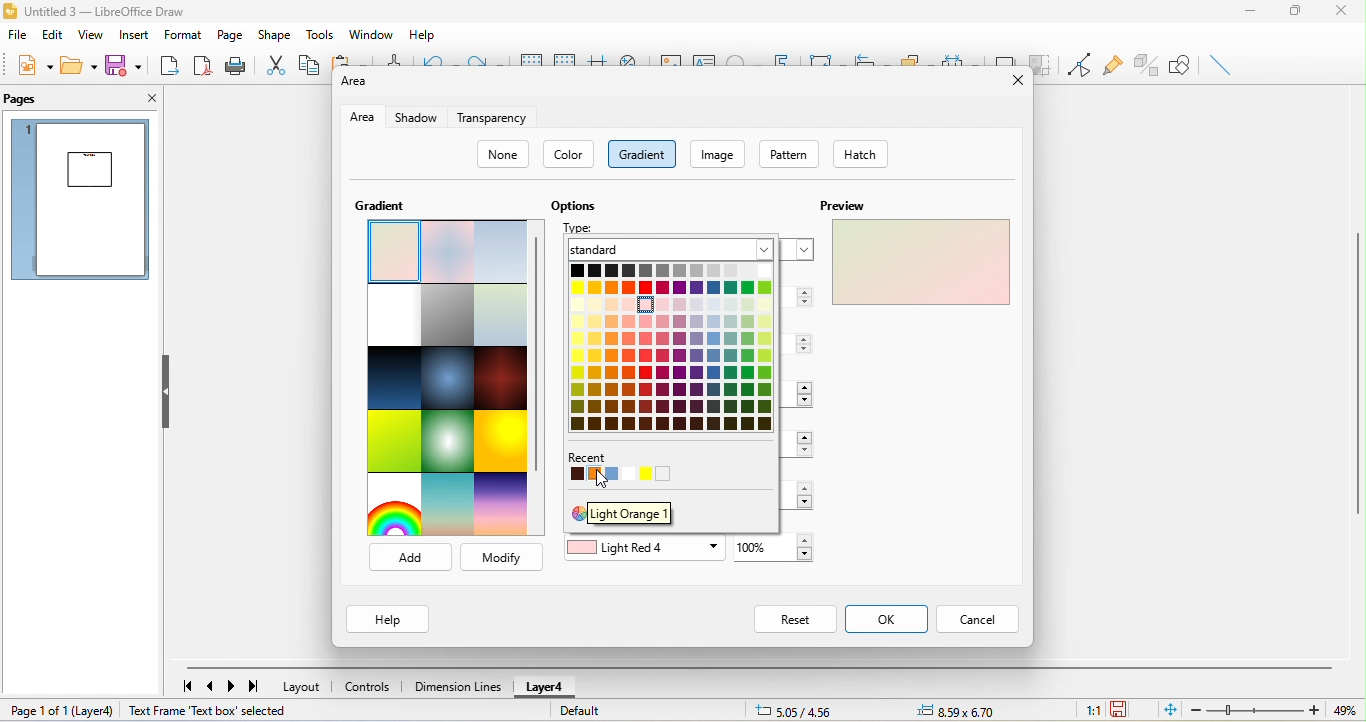 The height and width of the screenshot is (722, 1366). What do you see at coordinates (504, 155) in the screenshot?
I see `none` at bounding box center [504, 155].